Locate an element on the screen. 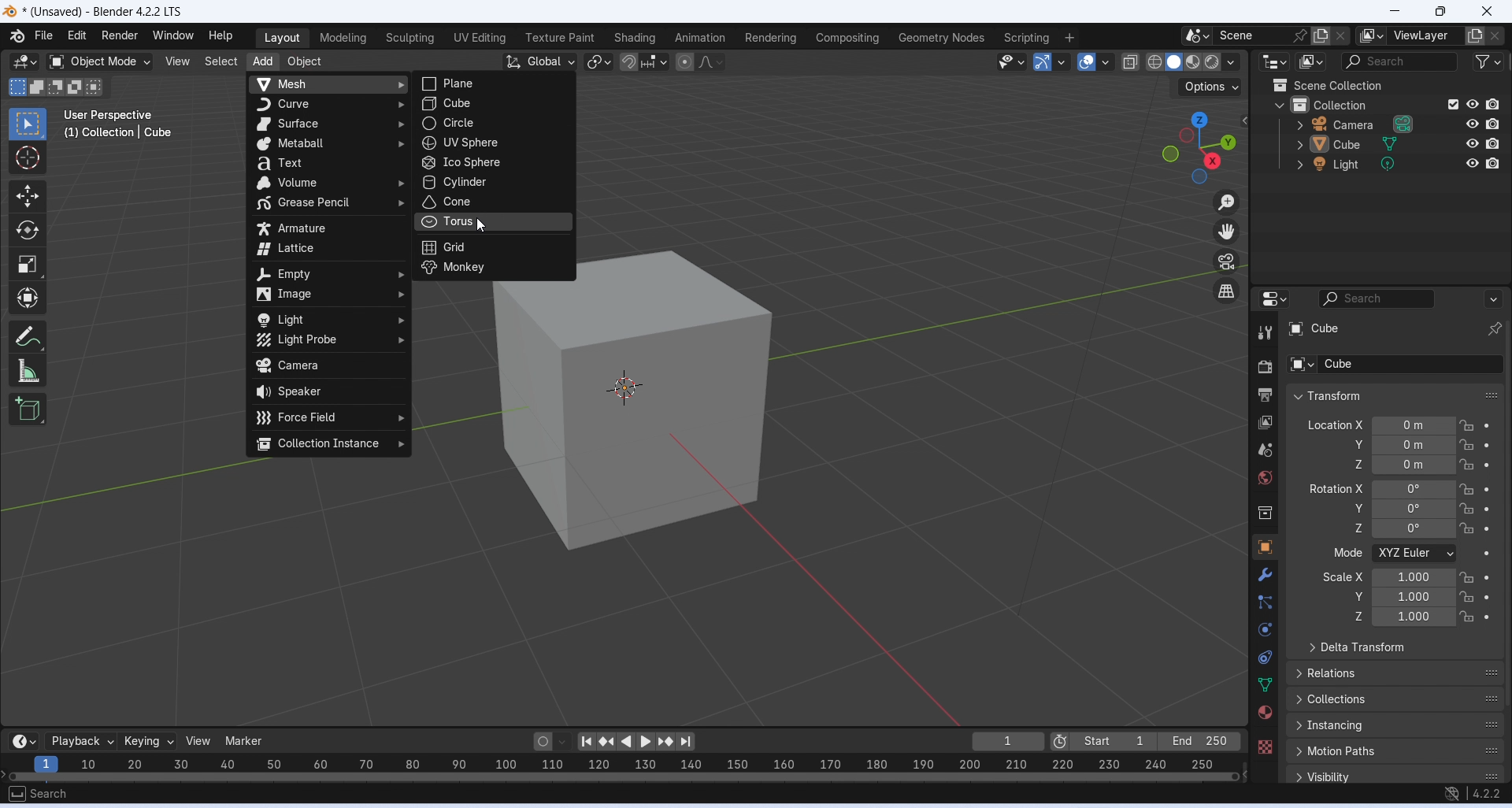 The image size is (1512, 808). Layout is located at coordinates (280, 38).